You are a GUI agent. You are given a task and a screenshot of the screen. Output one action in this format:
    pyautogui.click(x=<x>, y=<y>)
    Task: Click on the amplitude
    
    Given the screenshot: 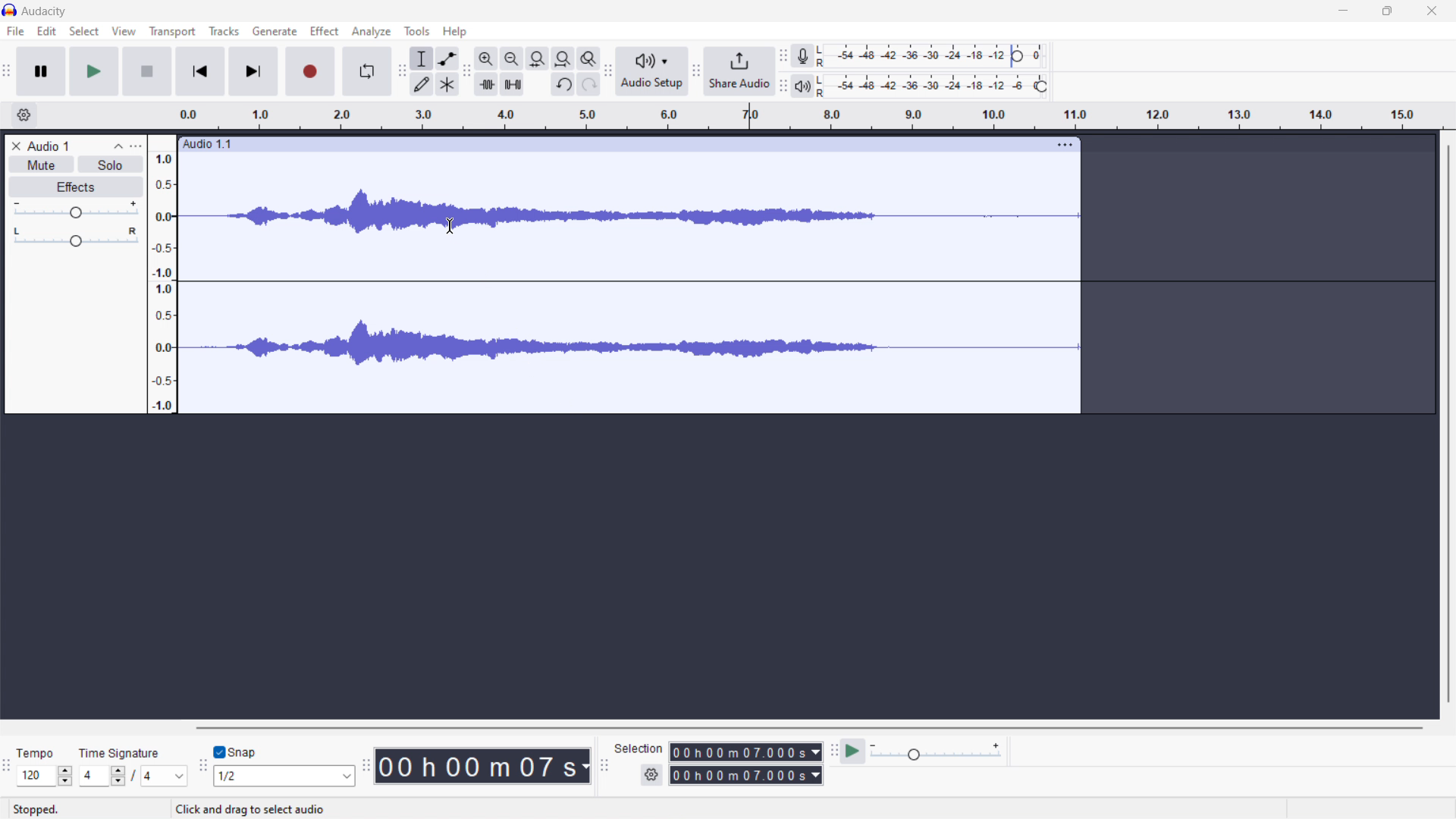 What is the action you would take?
    pyautogui.click(x=164, y=283)
    